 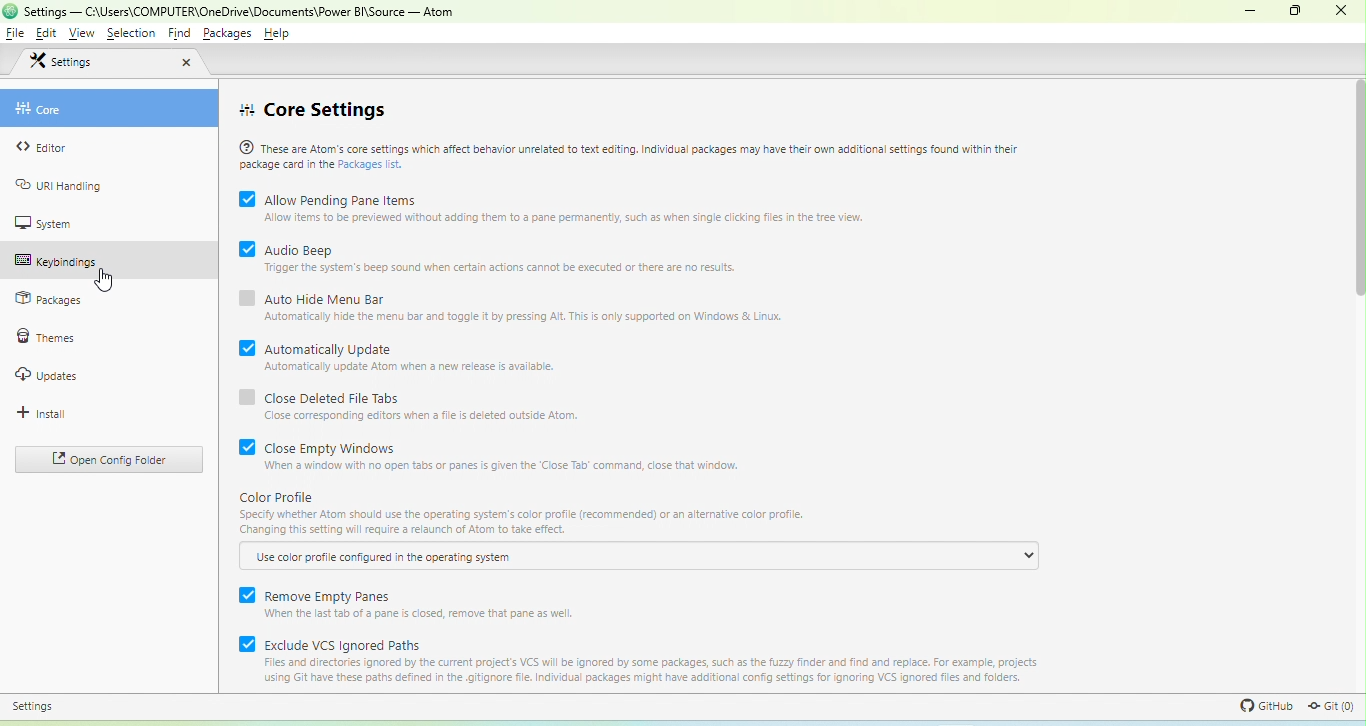 What do you see at coordinates (50, 376) in the screenshot?
I see `updates` at bounding box center [50, 376].